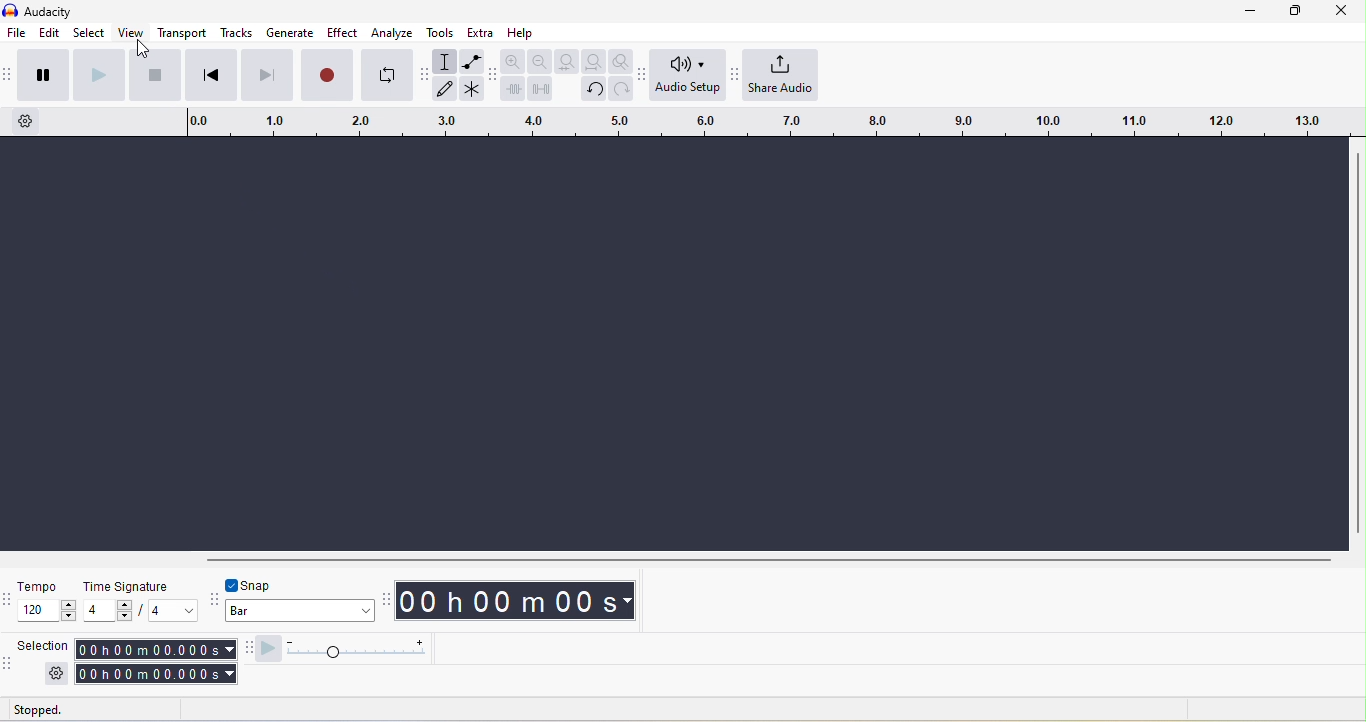  I want to click on skip to end, so click(267, 76).